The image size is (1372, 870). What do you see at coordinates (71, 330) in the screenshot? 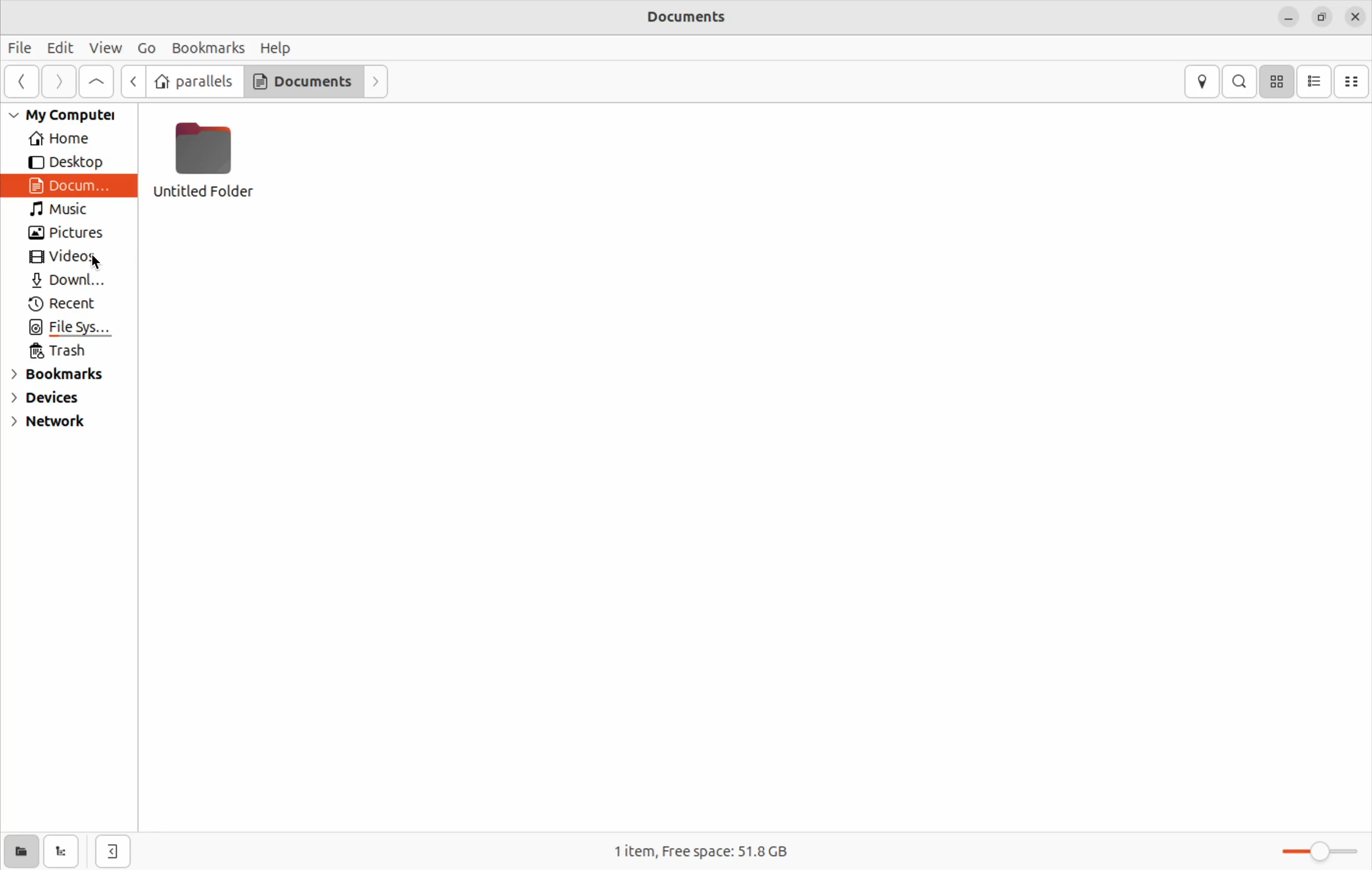
I see `File System` at bounding box center [71, 330].